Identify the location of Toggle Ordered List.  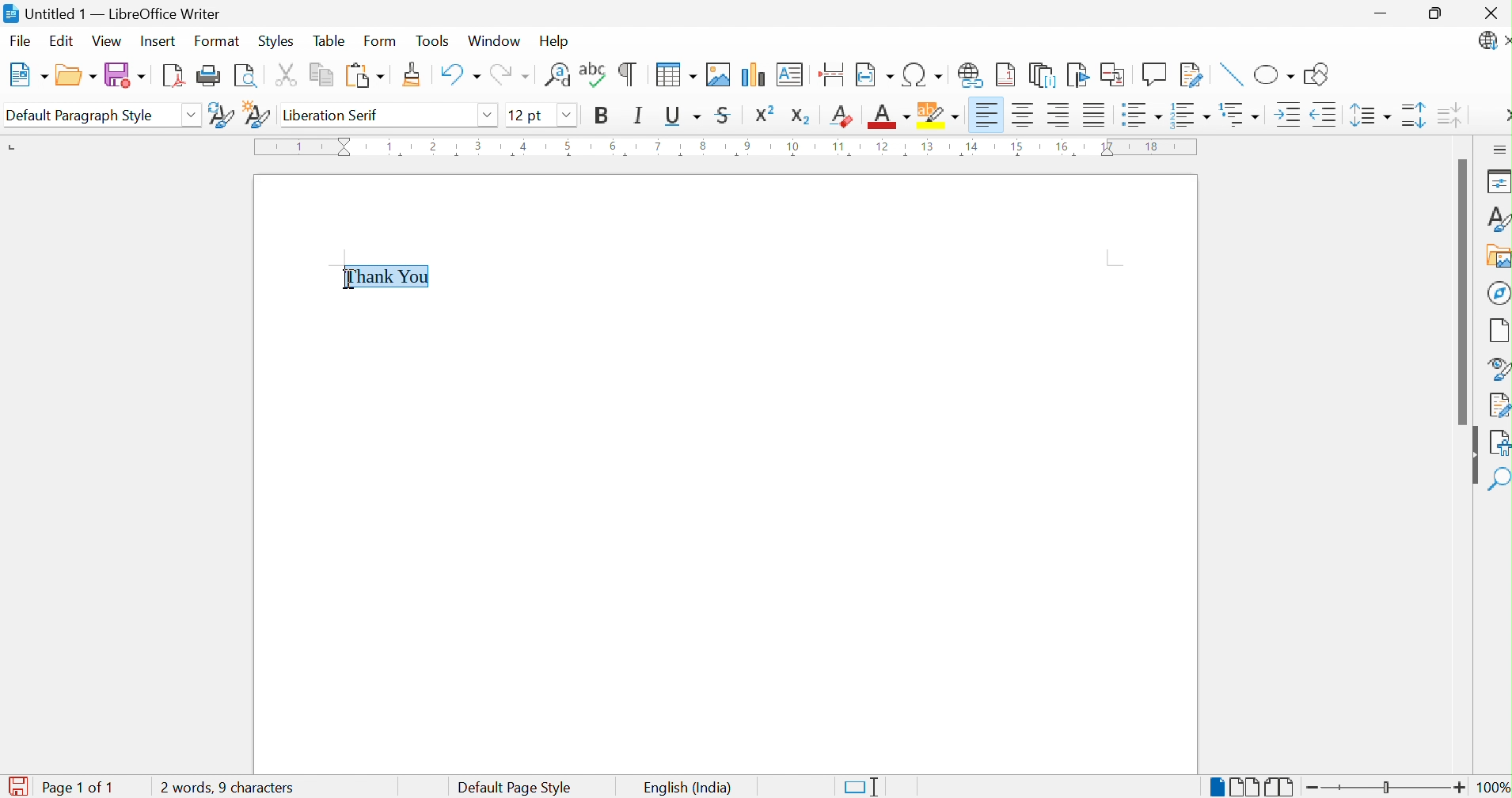
(1189, 114).